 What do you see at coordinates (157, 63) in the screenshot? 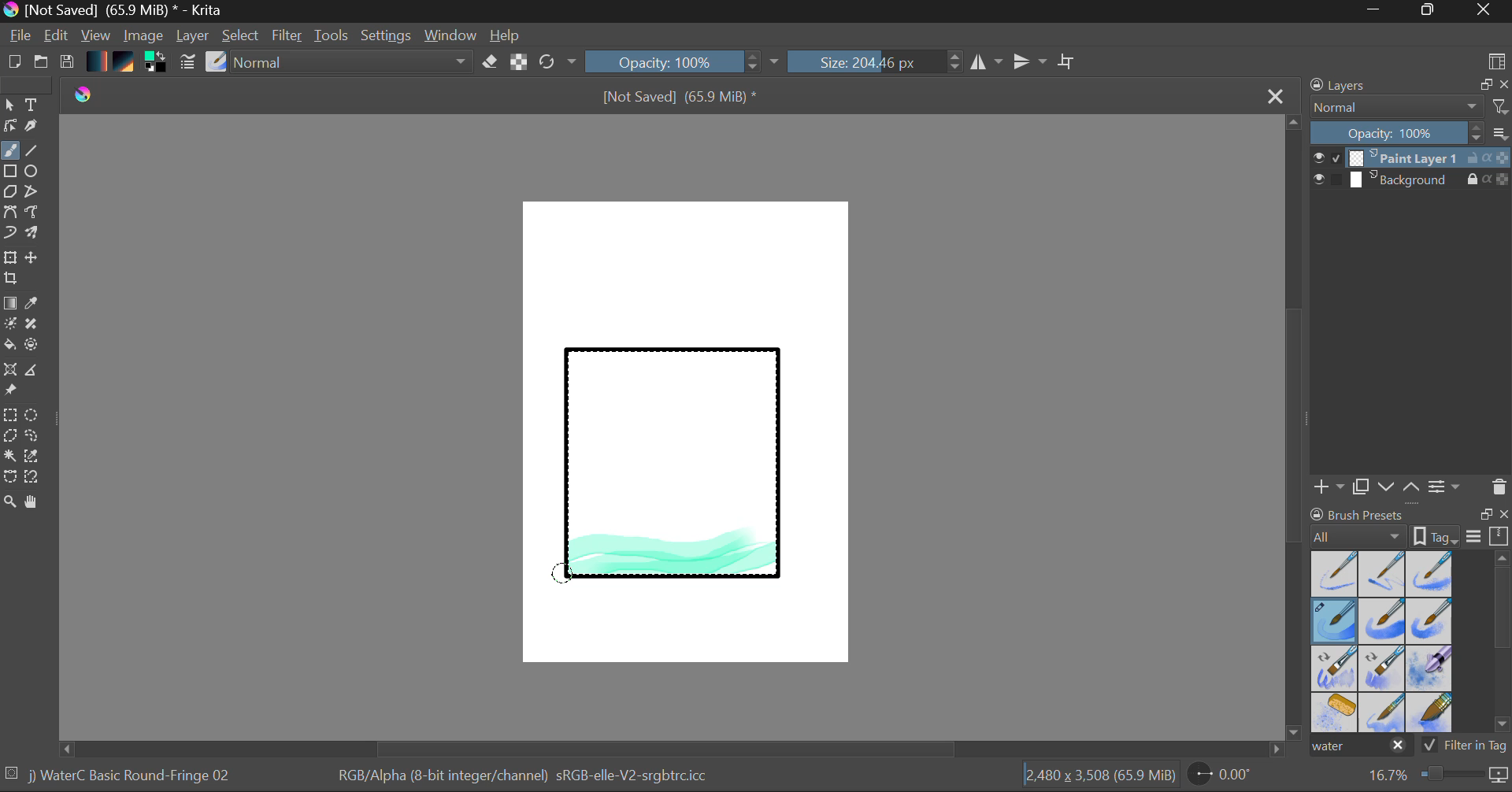
I see `Colors in use` at bounding box center [157, 63].